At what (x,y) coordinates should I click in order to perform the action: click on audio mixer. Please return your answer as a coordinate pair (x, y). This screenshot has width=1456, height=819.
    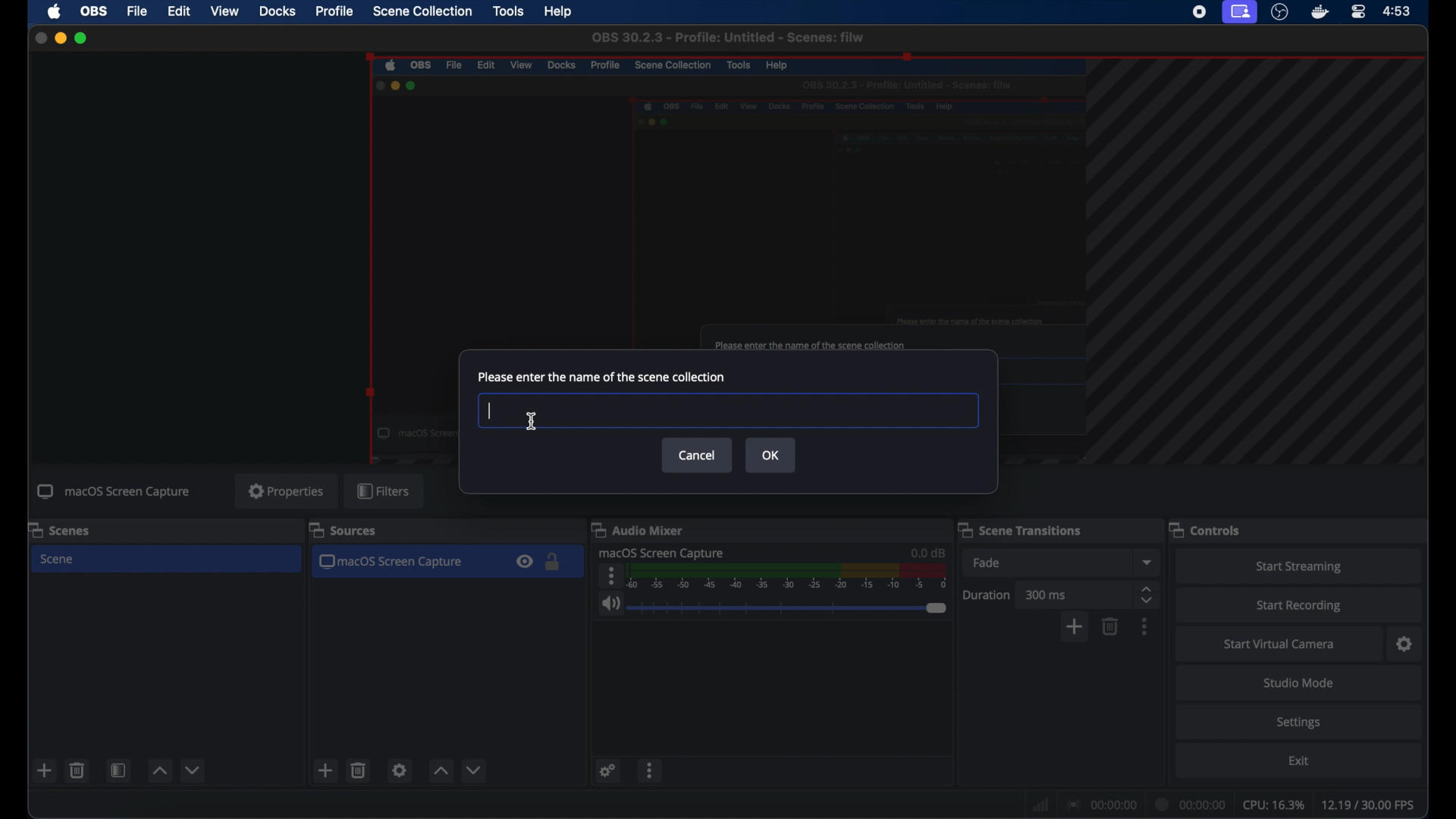
    Looking at the image, I should click on (642, 529).